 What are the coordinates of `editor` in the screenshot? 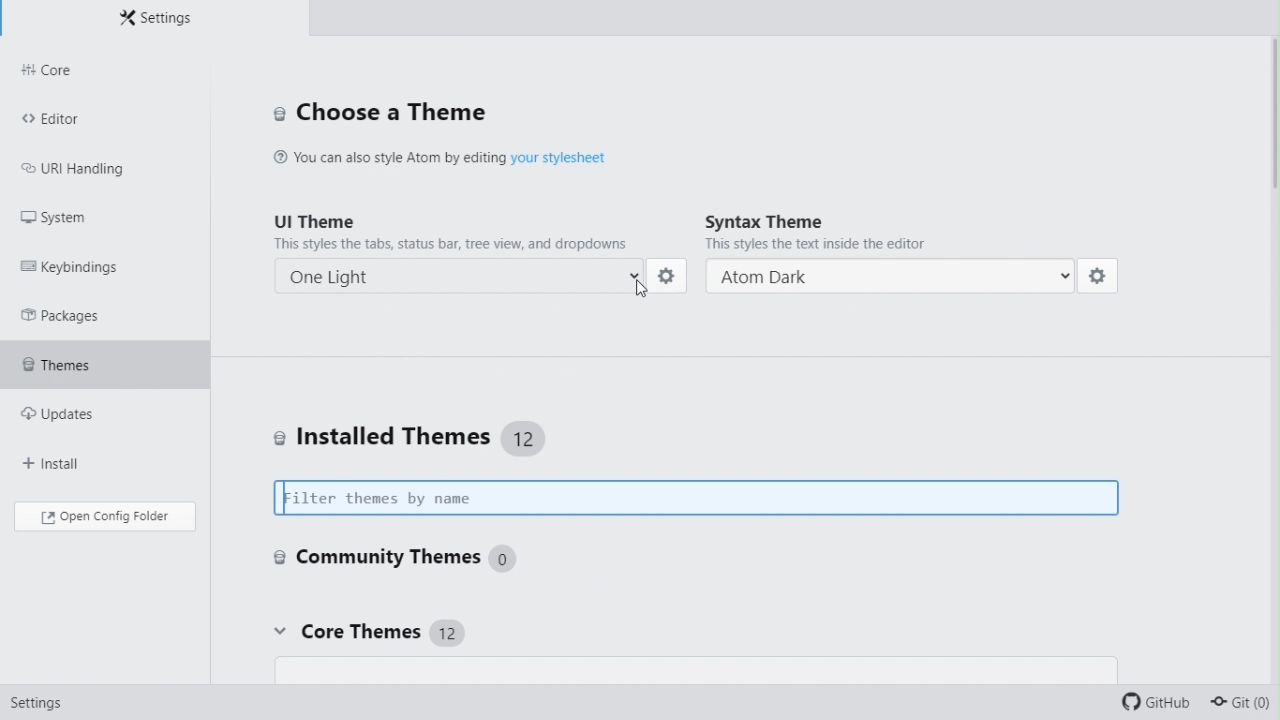 It's located at (75, 122).